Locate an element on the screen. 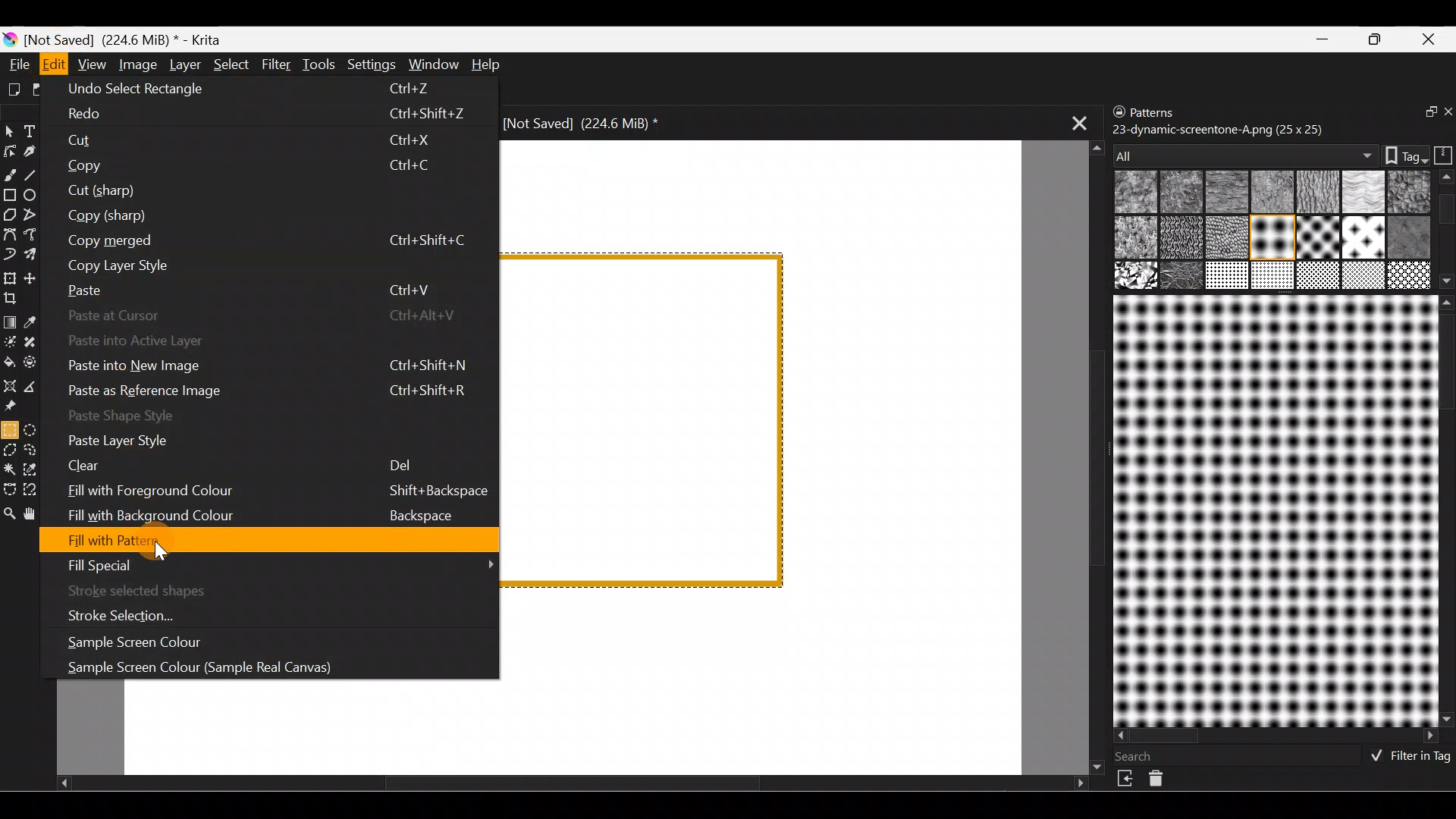 This screenshot has height=819, width=1456. 10 drawed_dotted.png is located at coordinates (1270, 238).